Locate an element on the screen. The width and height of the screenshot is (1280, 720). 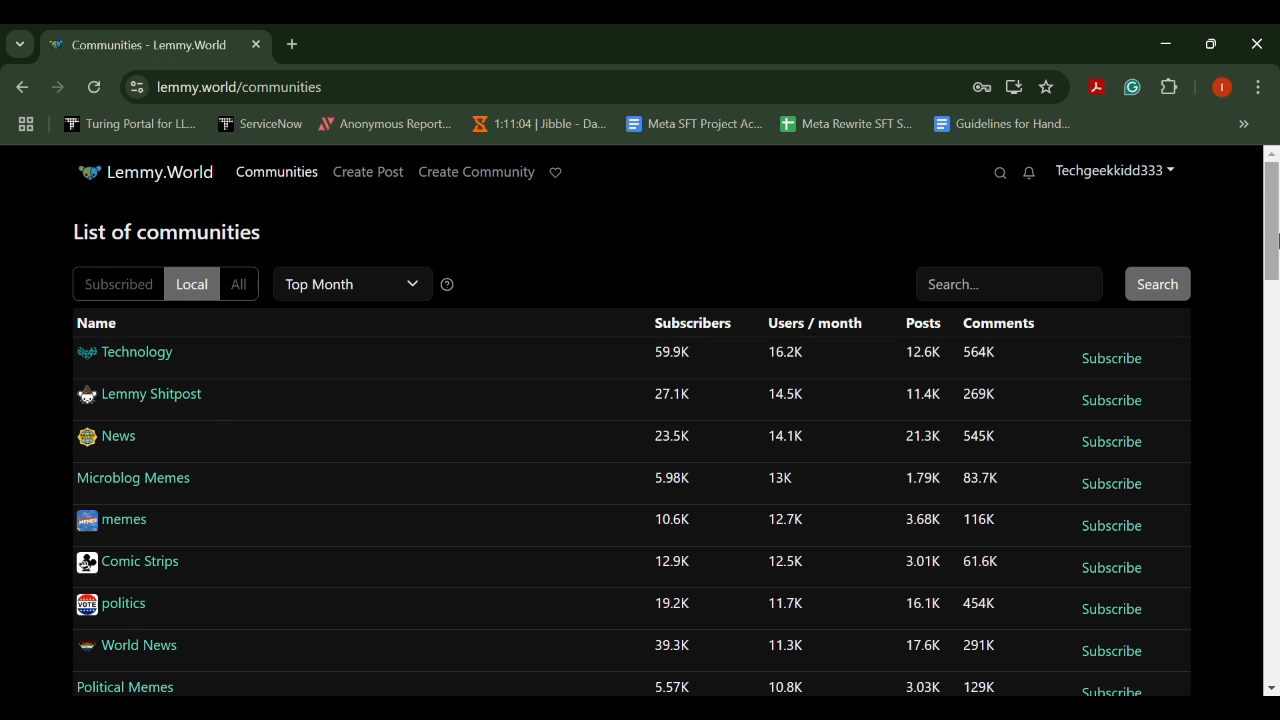
11.3K is located at coordinates (787, 647).